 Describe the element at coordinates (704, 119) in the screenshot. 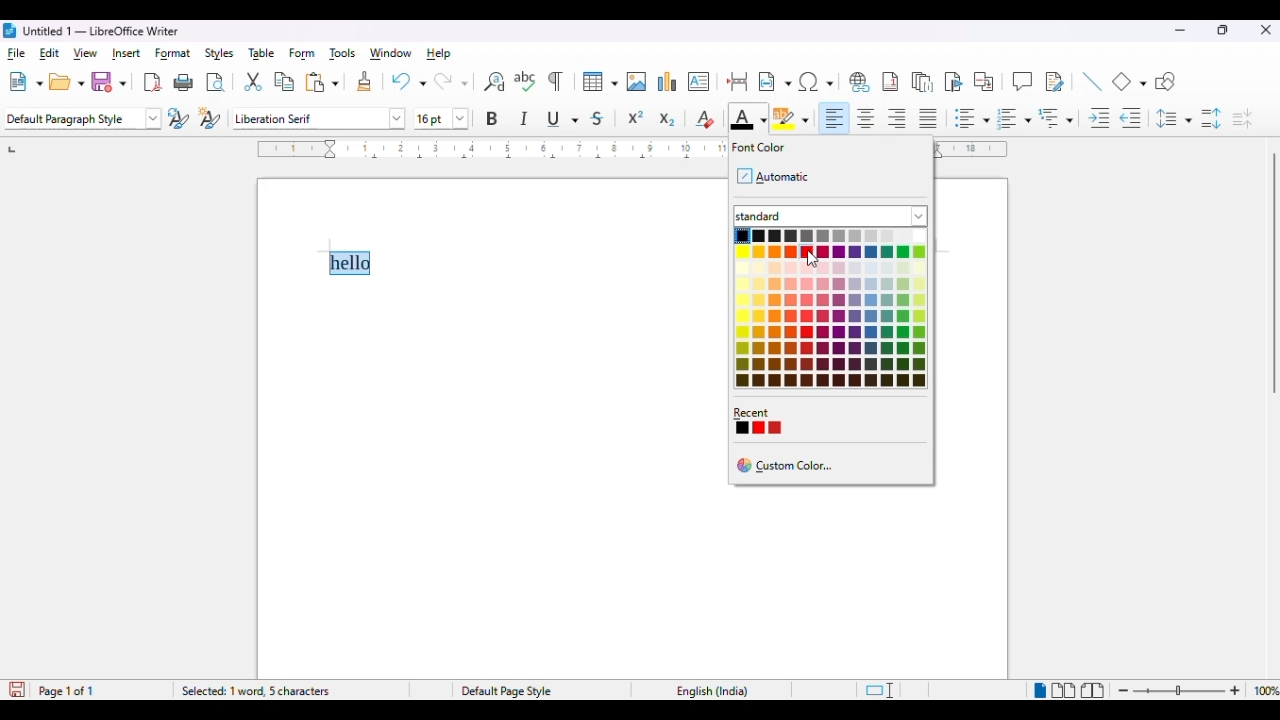

I see `clear direct formatting` at that location.